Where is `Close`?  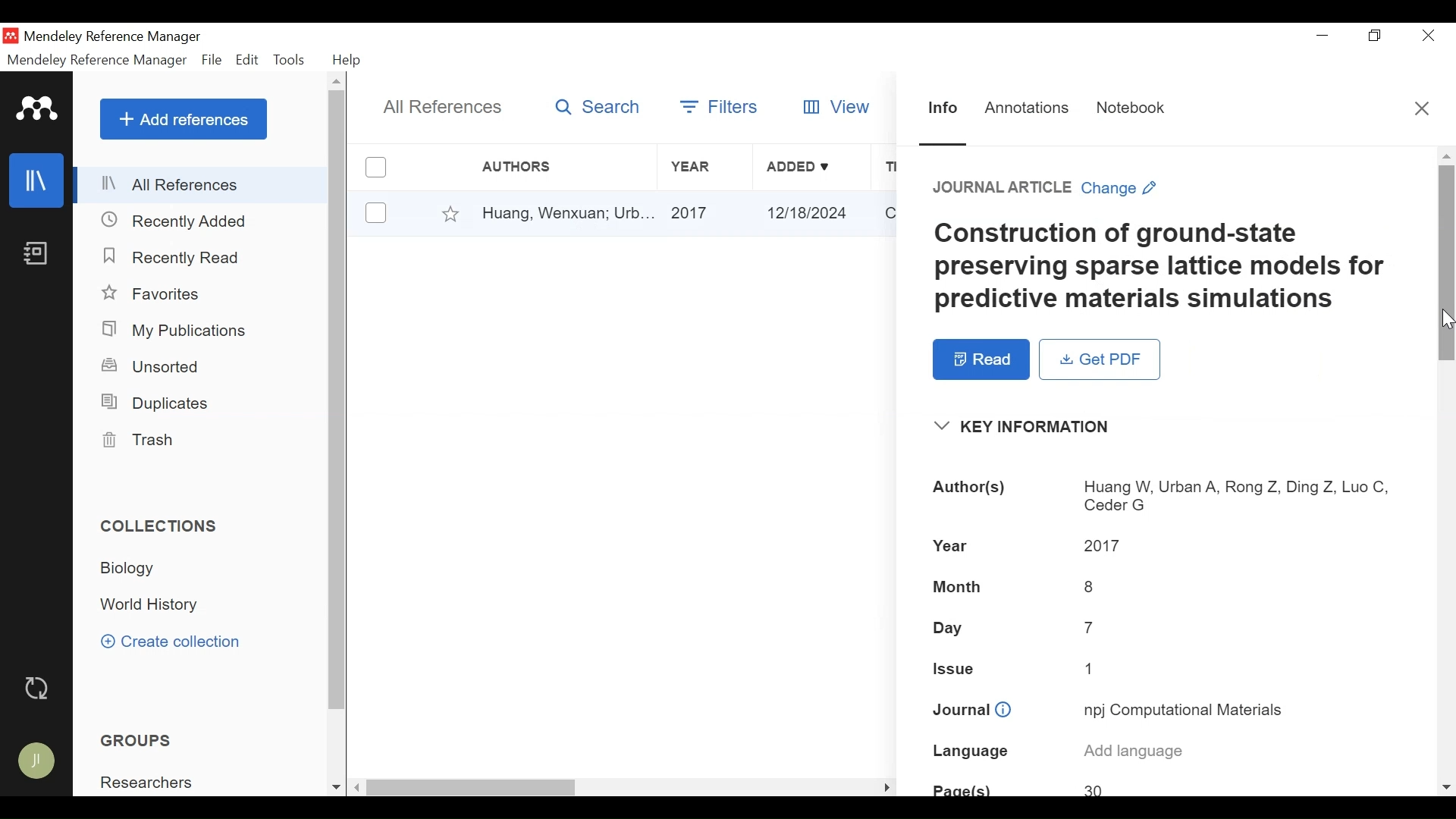 Close is located at coordinates (1428, 35).